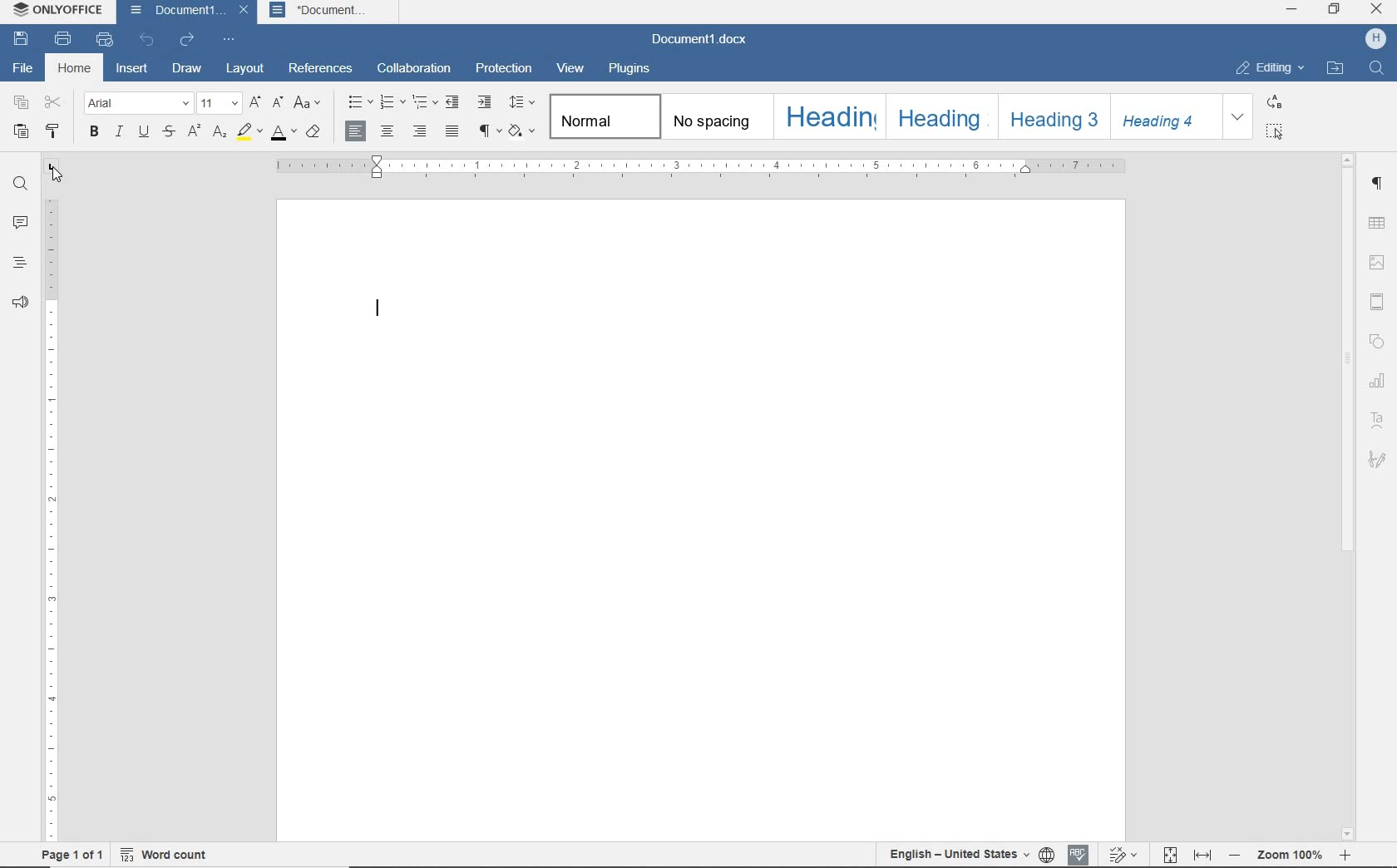 This screenshot has width=1397, height=868. I want to click on COLLABORATION, so click(416, 69).